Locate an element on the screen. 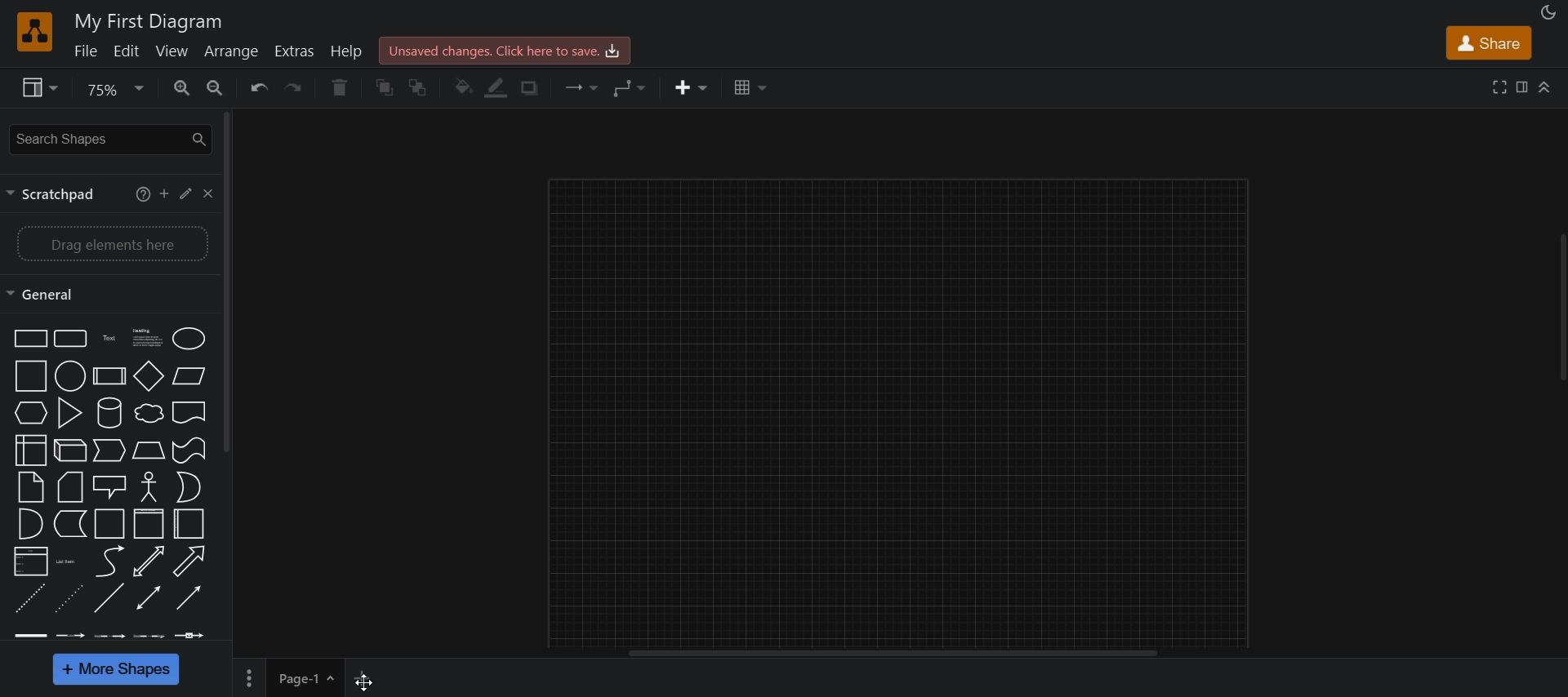 The image size is (1568, 697). click here to save is located at coordinates (508, 49).